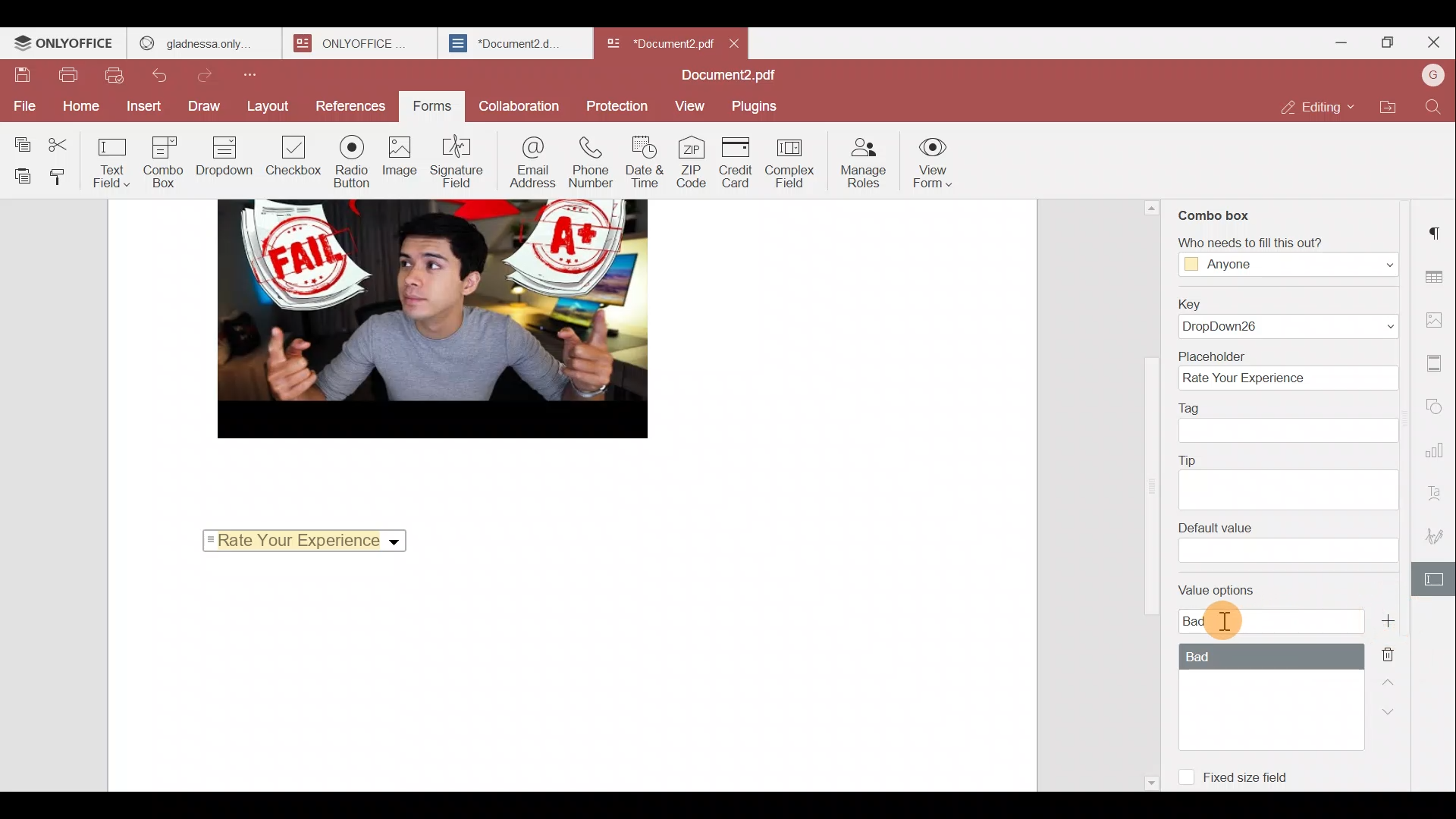 The image size is (1456, 819). What do you see at coordinates (290, 158) in the screenshot?
I see `Checkbox` at bounding box center [290, 158].